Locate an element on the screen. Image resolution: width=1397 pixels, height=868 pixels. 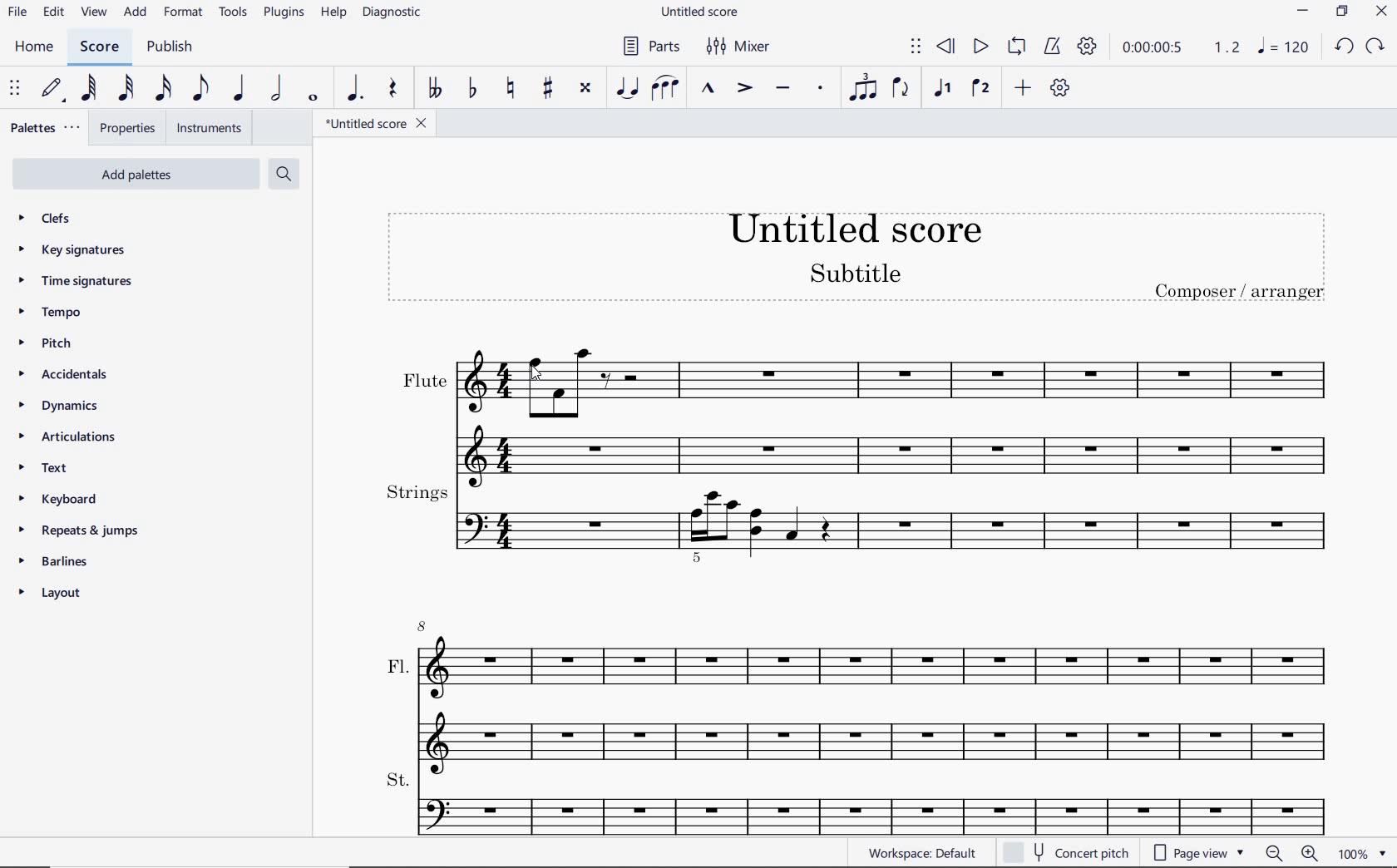
redo is located at coordinates (1376, 47).